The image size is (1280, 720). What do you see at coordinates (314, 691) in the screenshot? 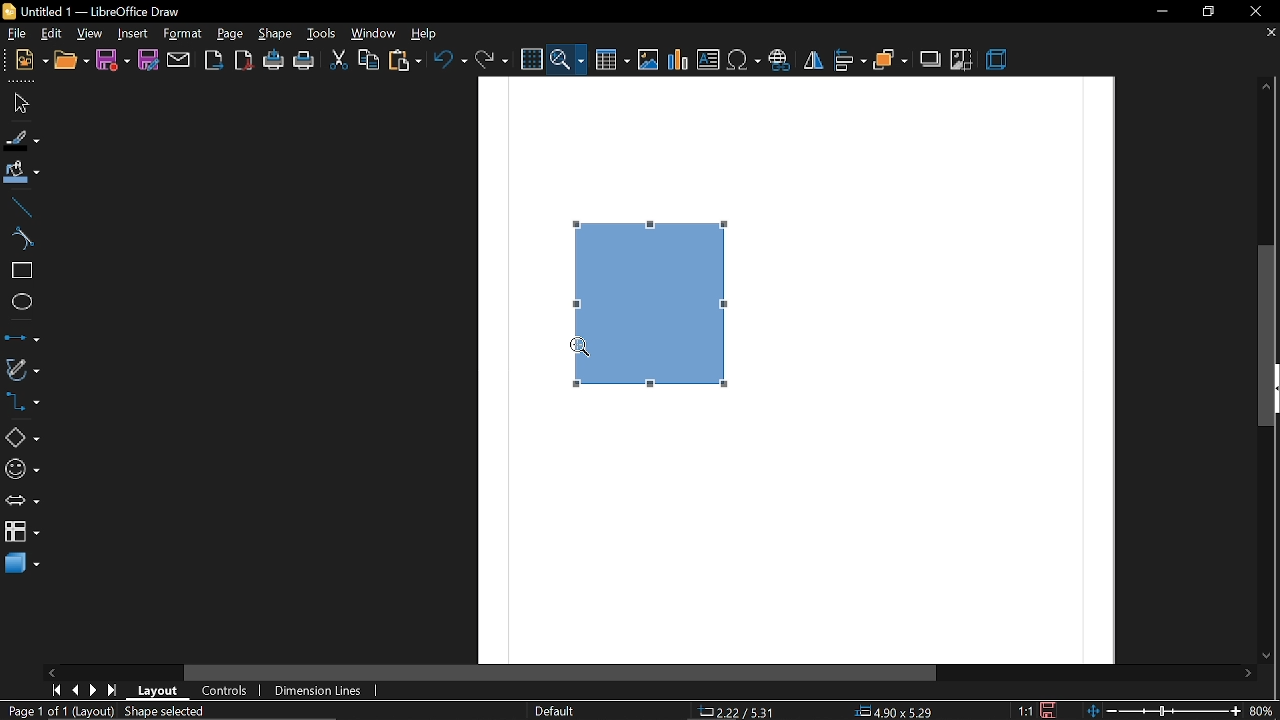
I see `dimension lines` at bounding box center [314, 691].